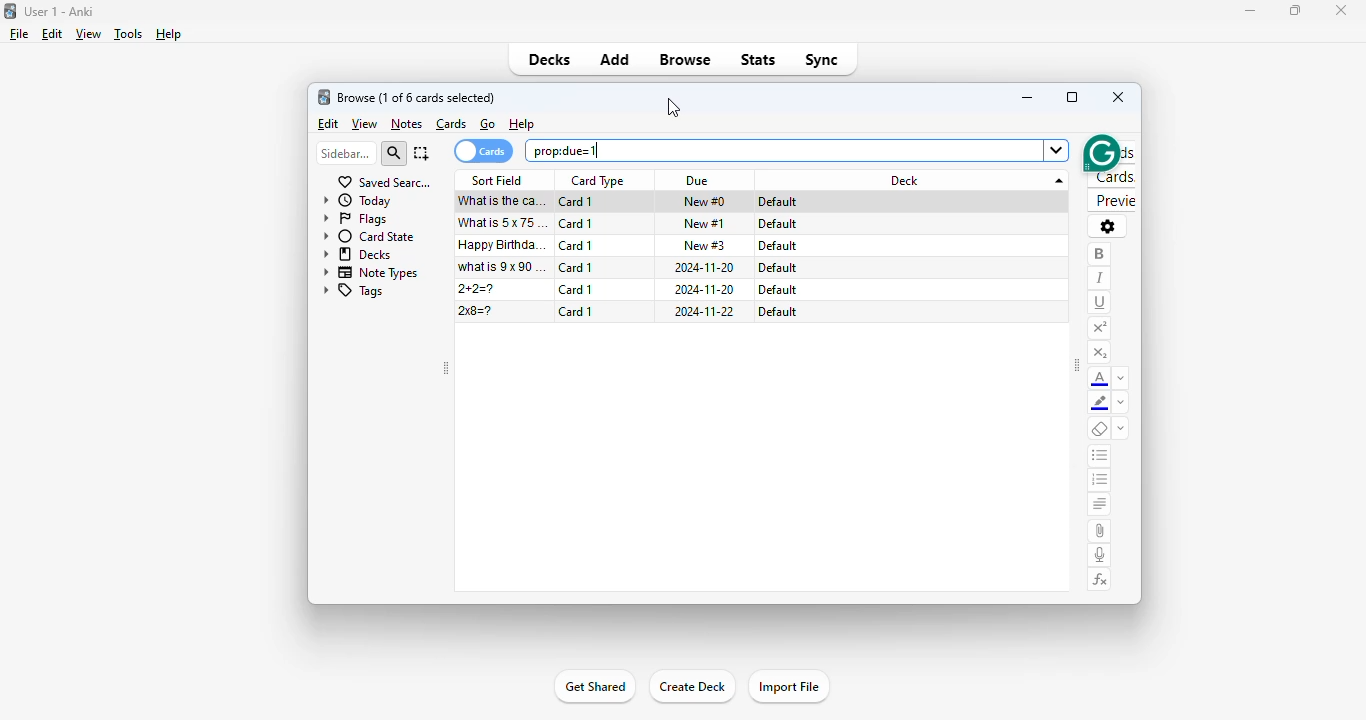 This screenshot has width=1366, height=720. Describe the element at coordinates (502, 266) in the screenshot. I see `what is 9x90=?` at that location.